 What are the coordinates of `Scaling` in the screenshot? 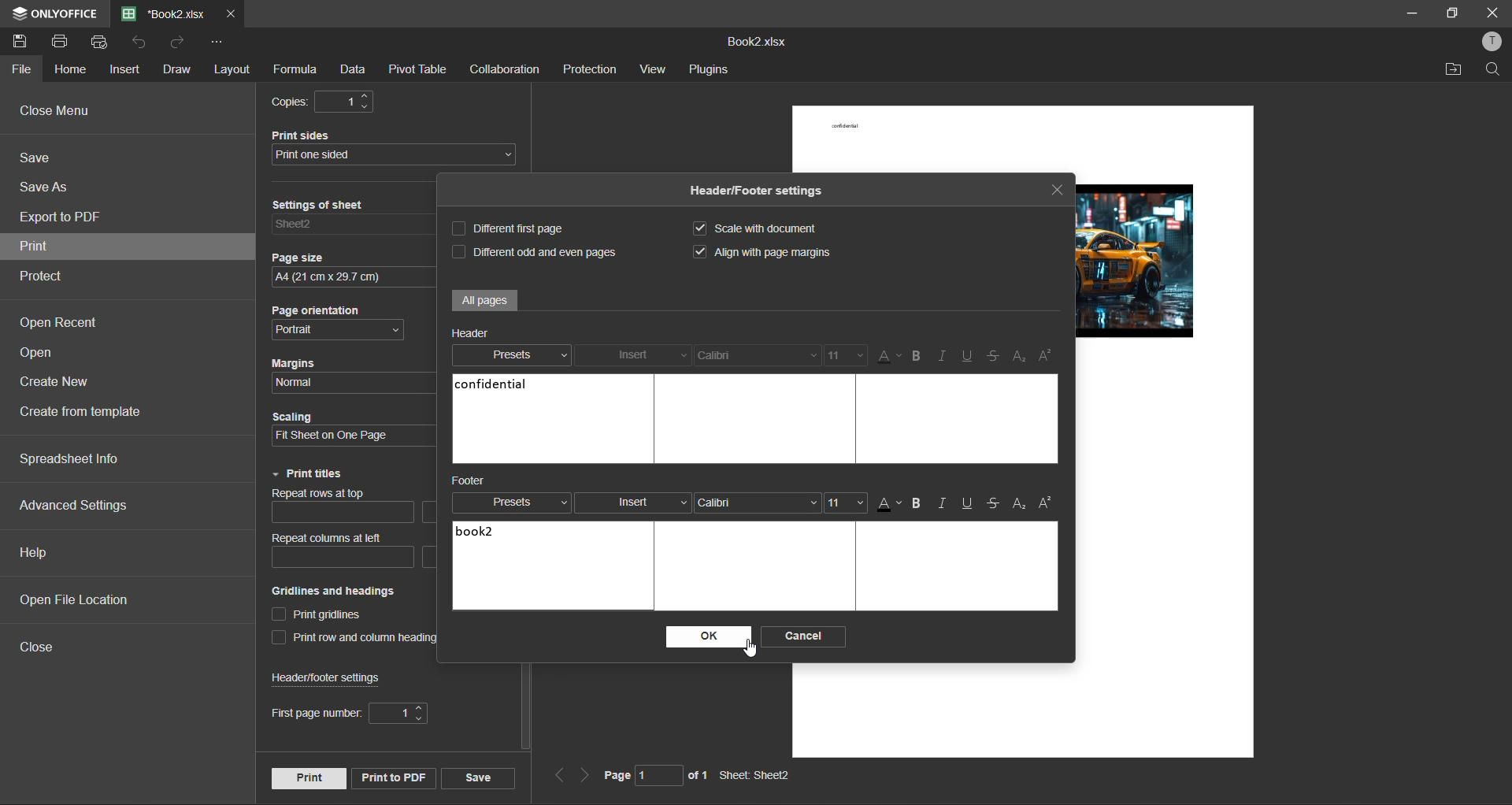 It's located at (295, 417).